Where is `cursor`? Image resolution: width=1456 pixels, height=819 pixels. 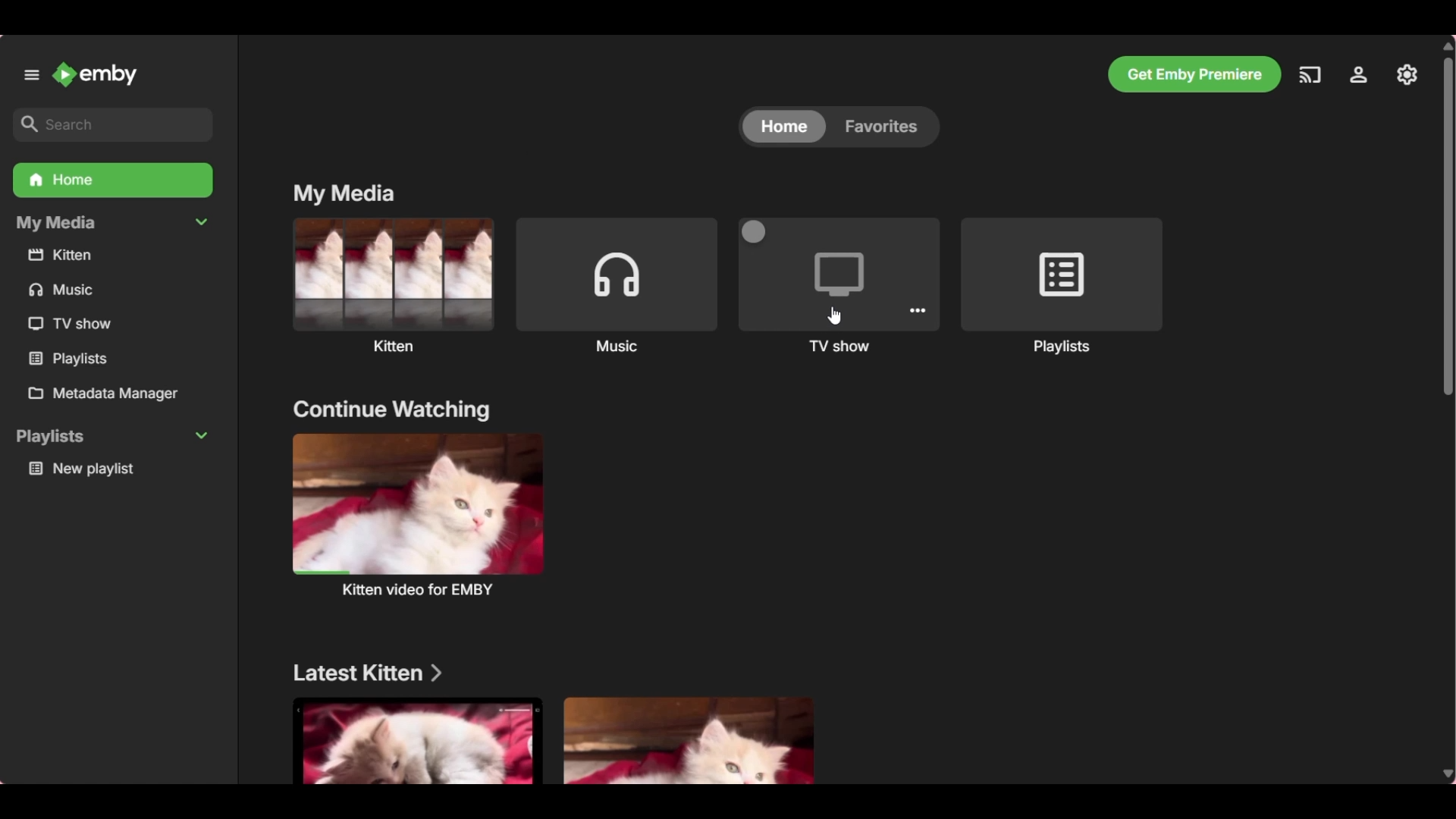
cursor is located at coordinates (840, 318).